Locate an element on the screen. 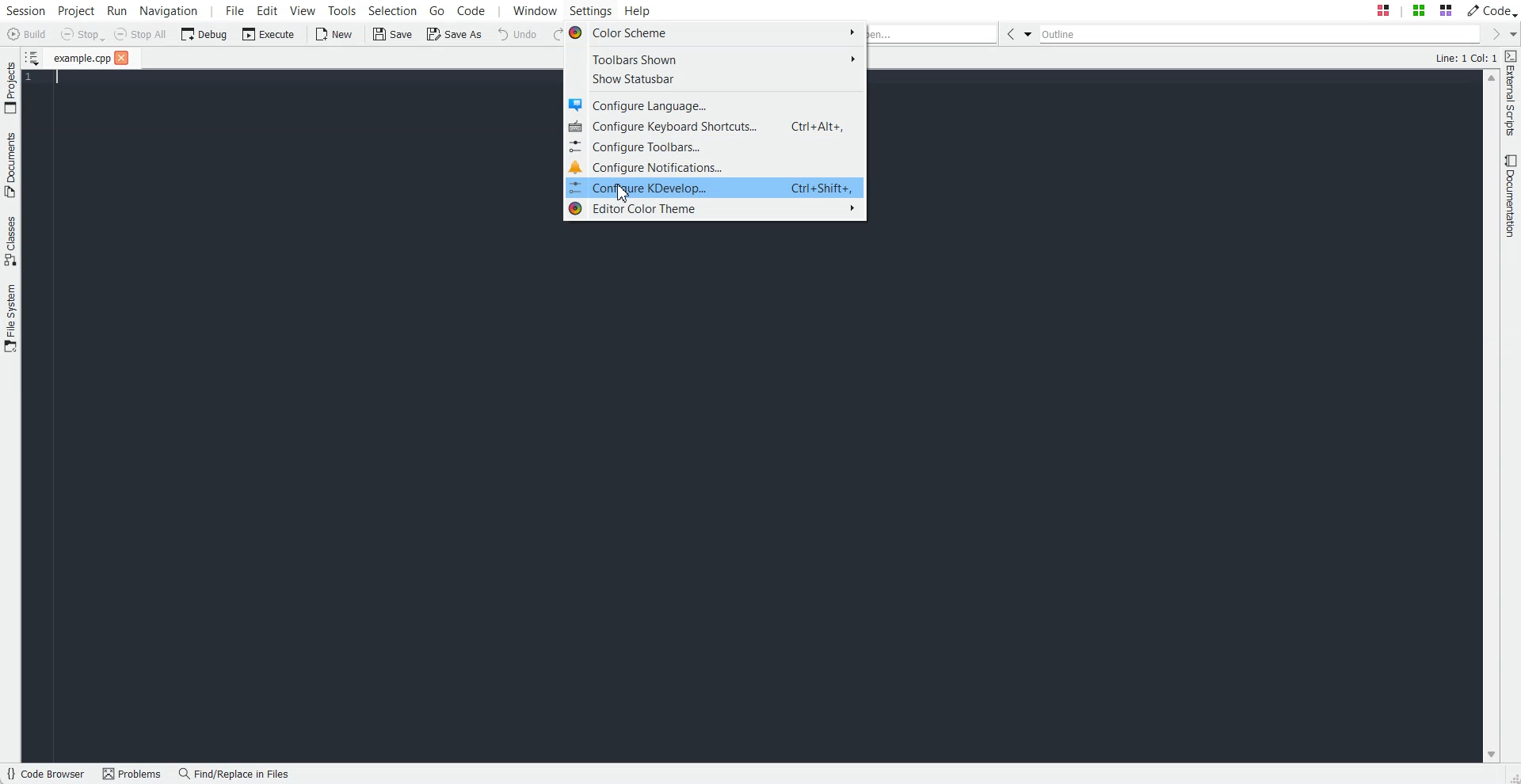 The width and height of the screenshot is (1521, 784). Documents is located at coordinates (10, 165).